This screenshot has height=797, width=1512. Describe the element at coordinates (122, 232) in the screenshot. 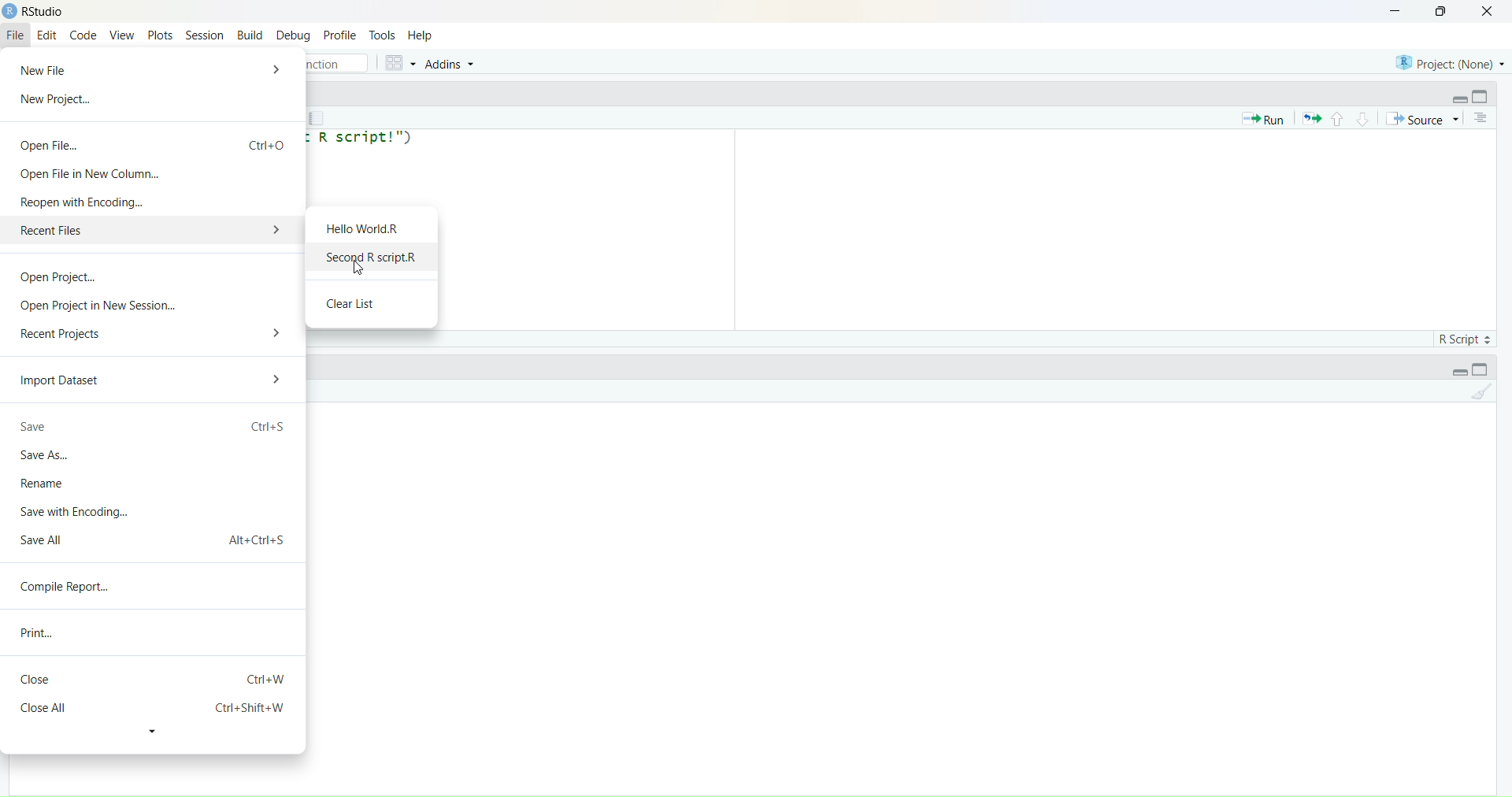

I see `Recent Files` at that location.